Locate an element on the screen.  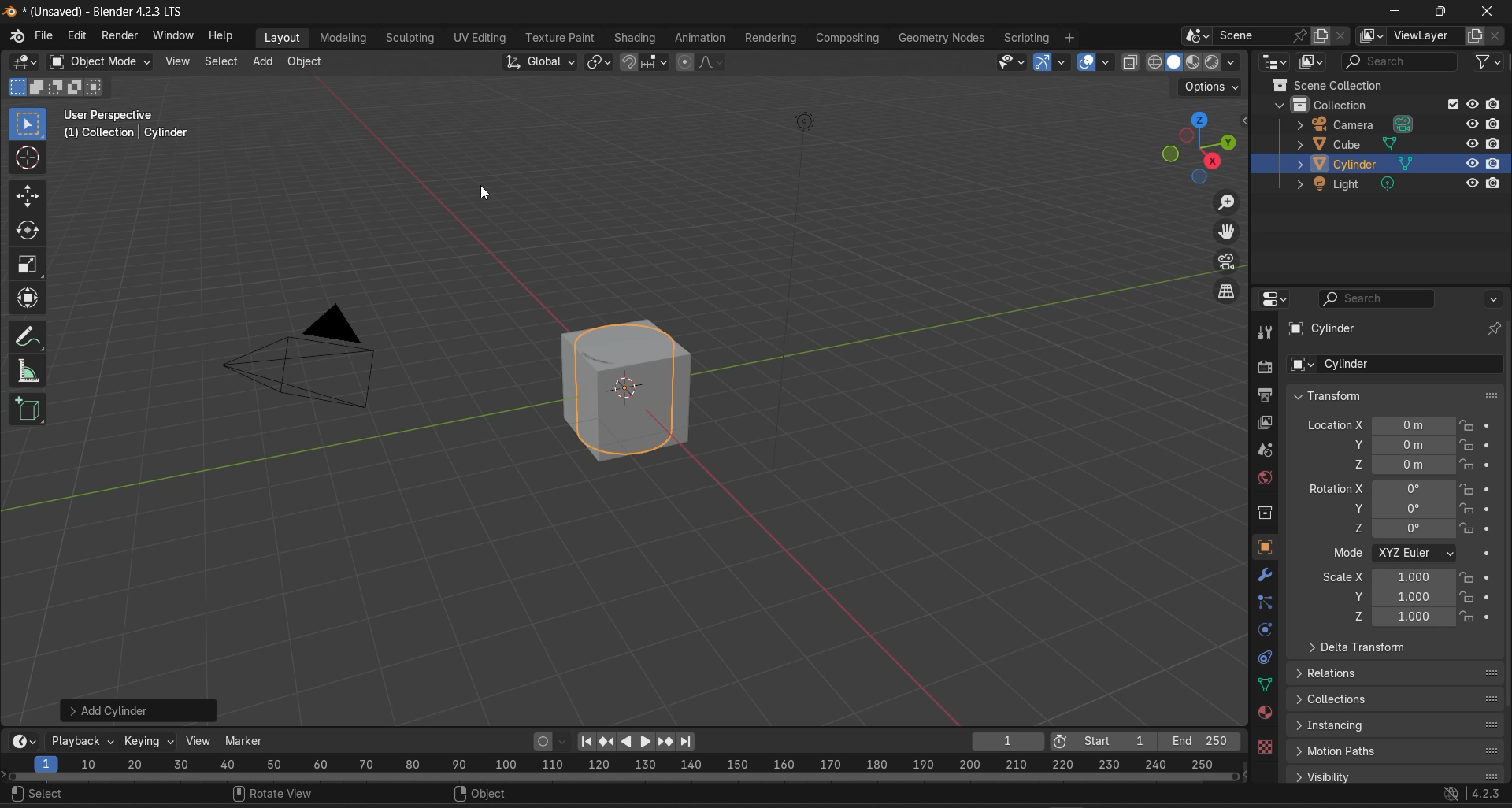
gizmos is located at coordinates (1062, 62).